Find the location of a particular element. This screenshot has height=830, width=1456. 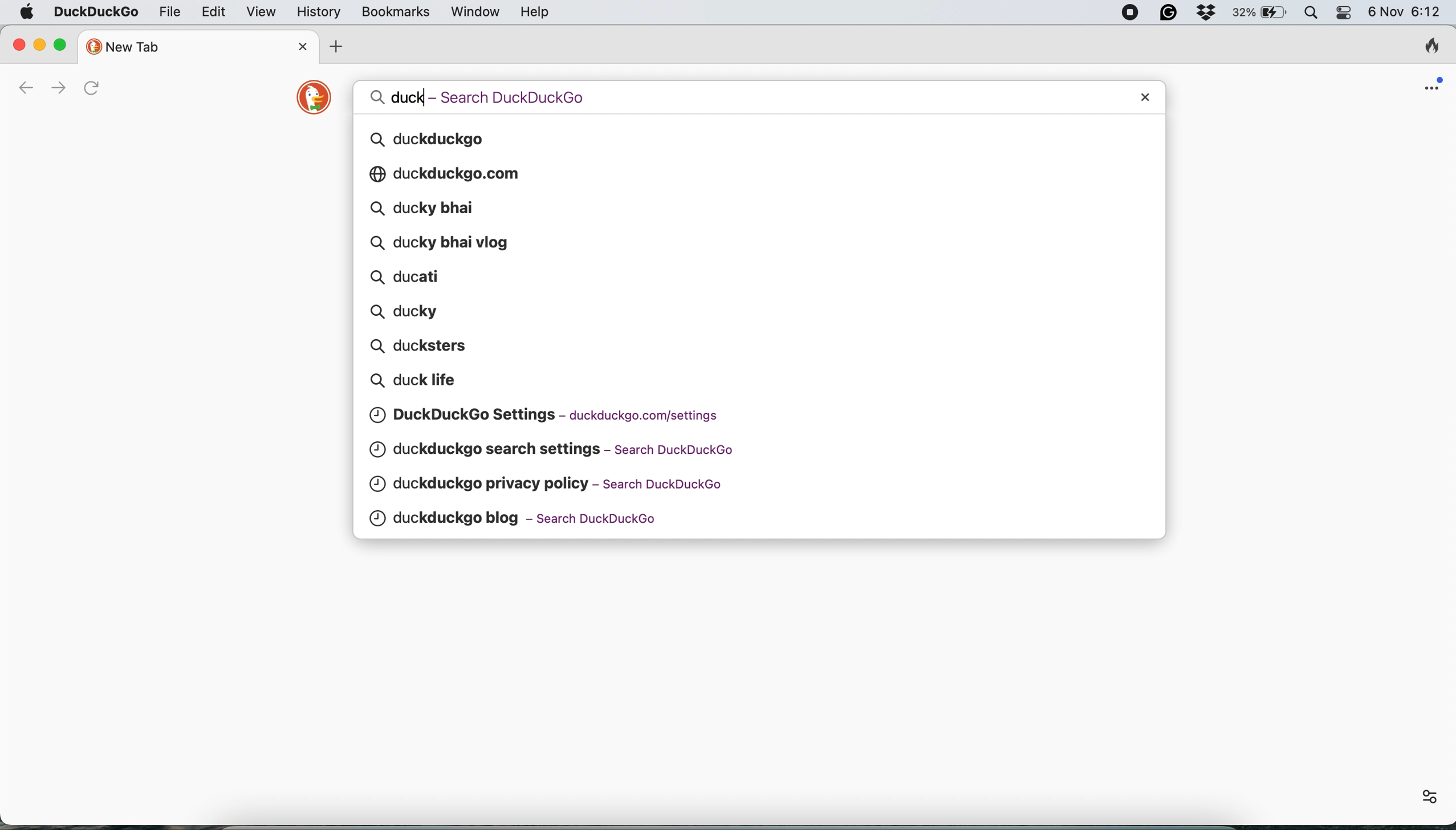

add new tab is located at coordinates (332, 47).